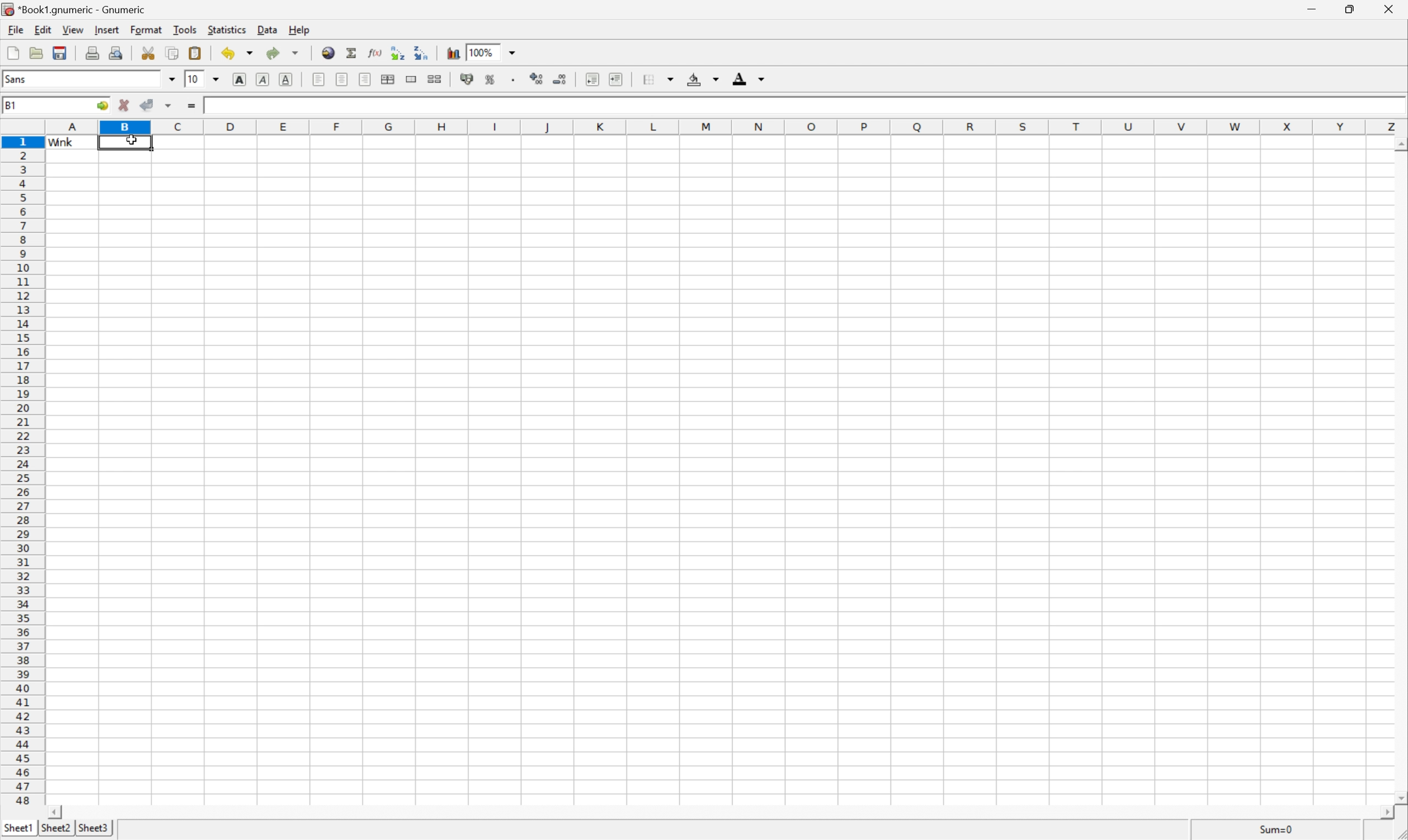  Describe the element at coordinates (71, 31) in the screenshot. I see `view` at that location.